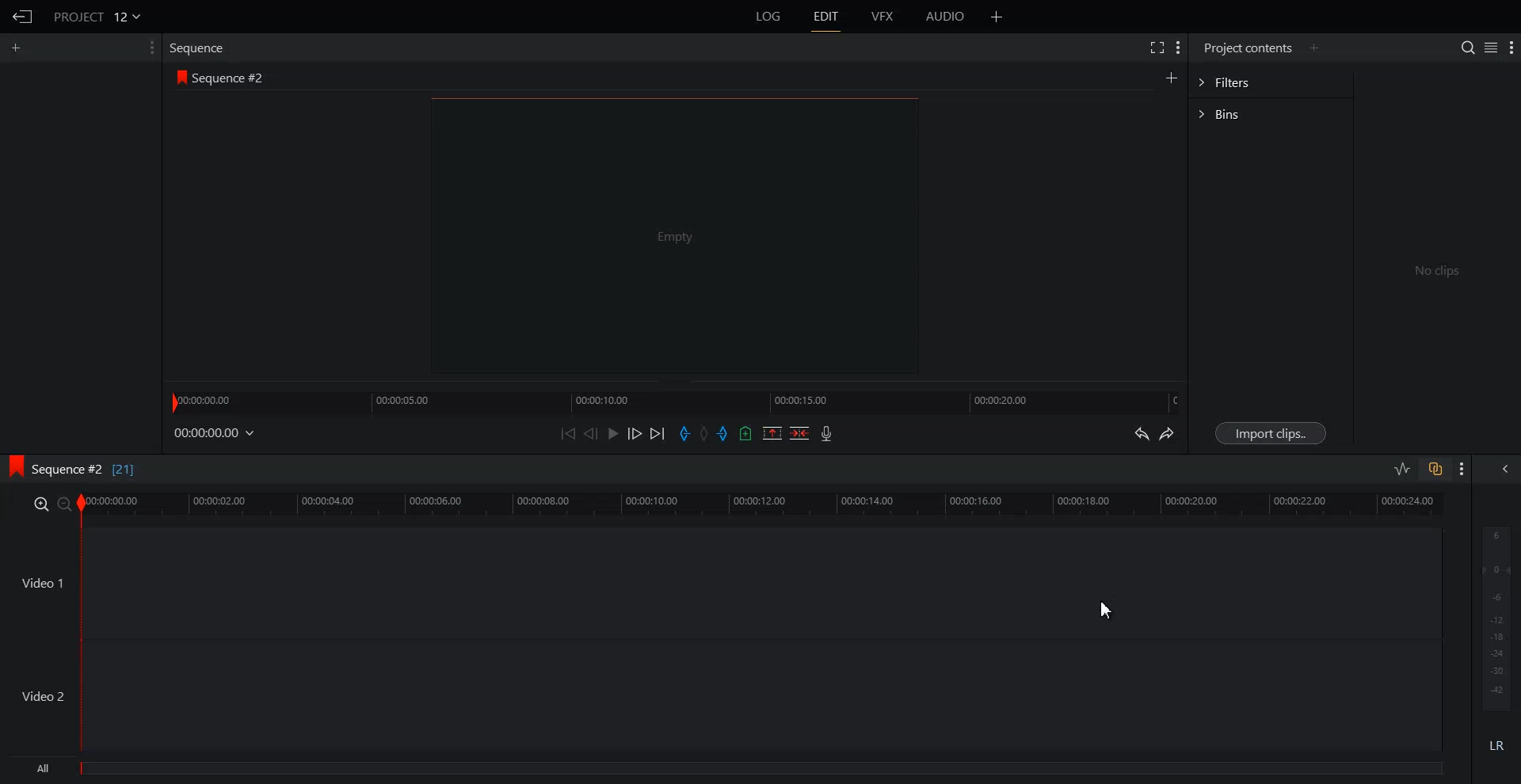  I want to click on Show Setting Menu, so click(1179, 48).